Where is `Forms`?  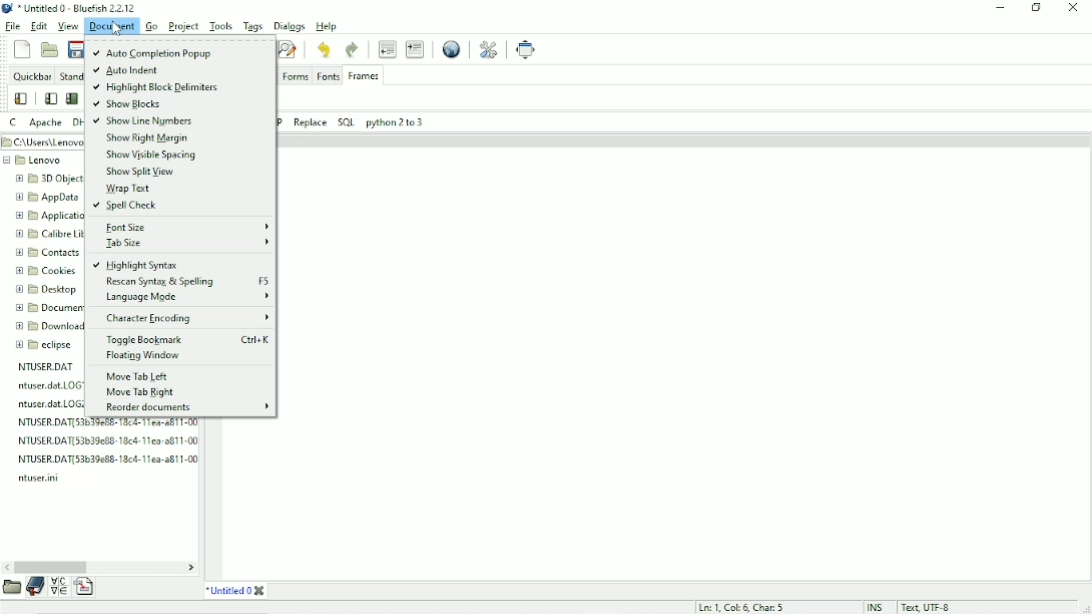 Forms is located at coordinates (295, 77).